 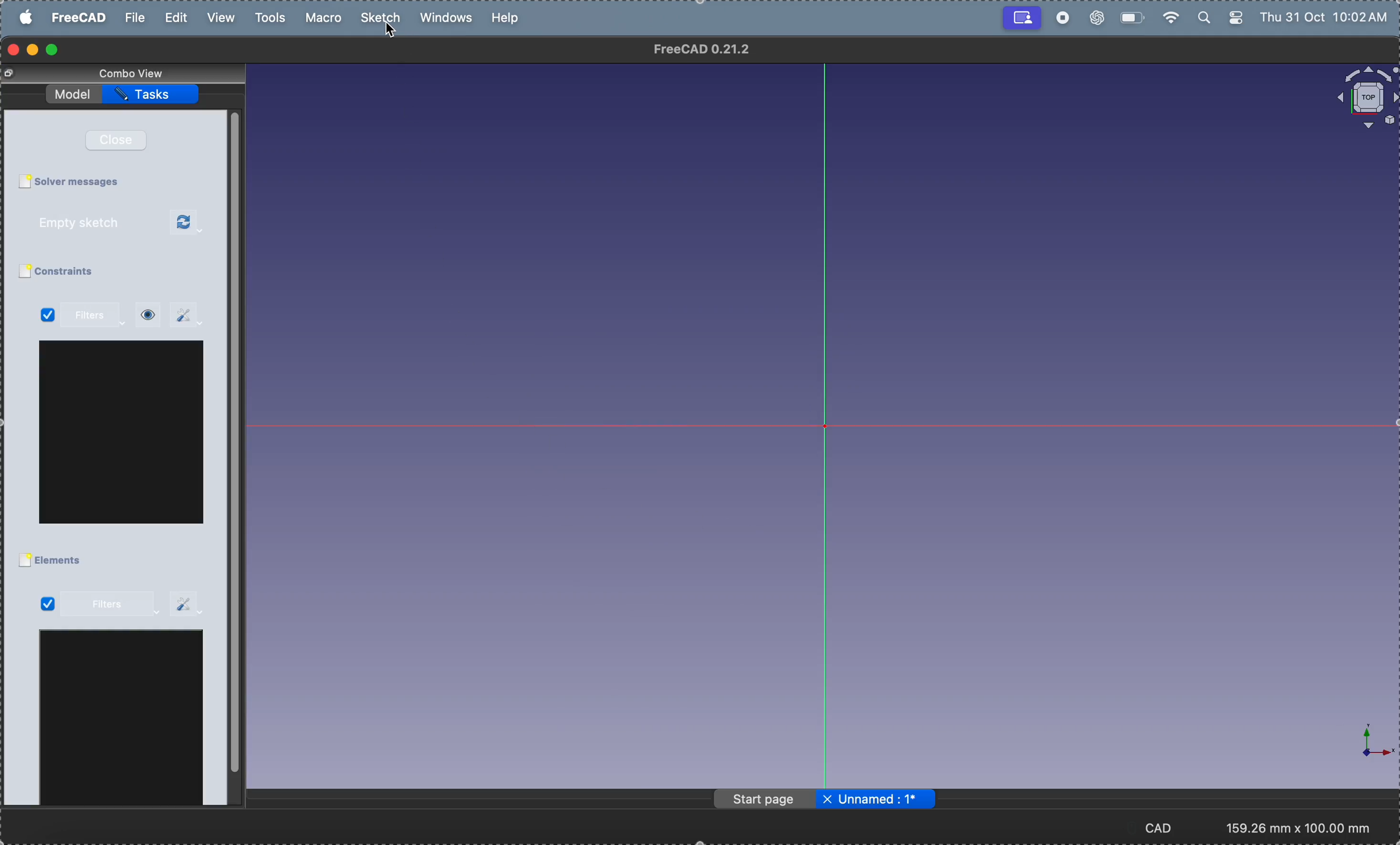 I want to click on minimize, so click(x=35, y=50).